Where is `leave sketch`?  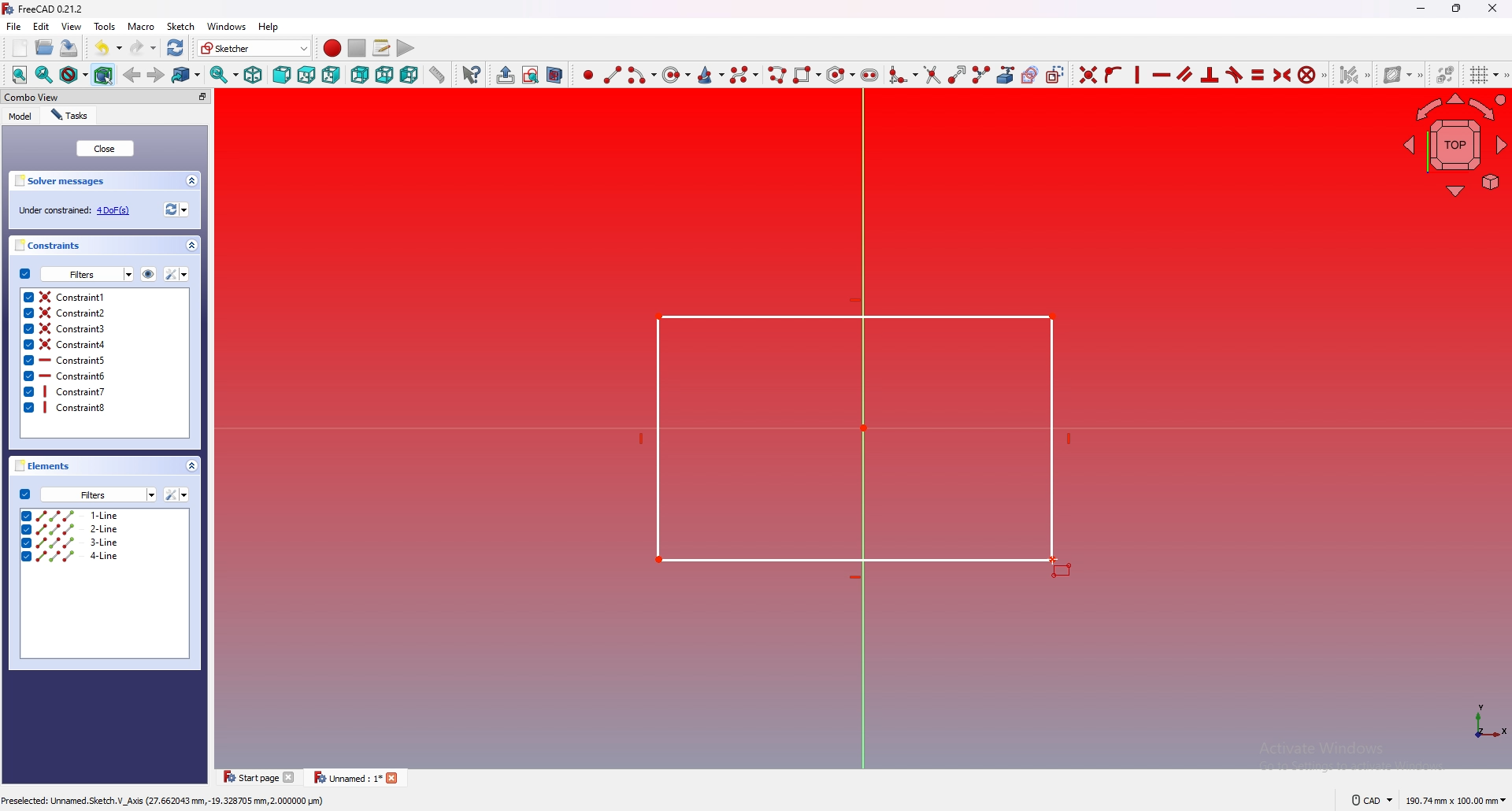
leave sketch is located at coordinates (506, 76).